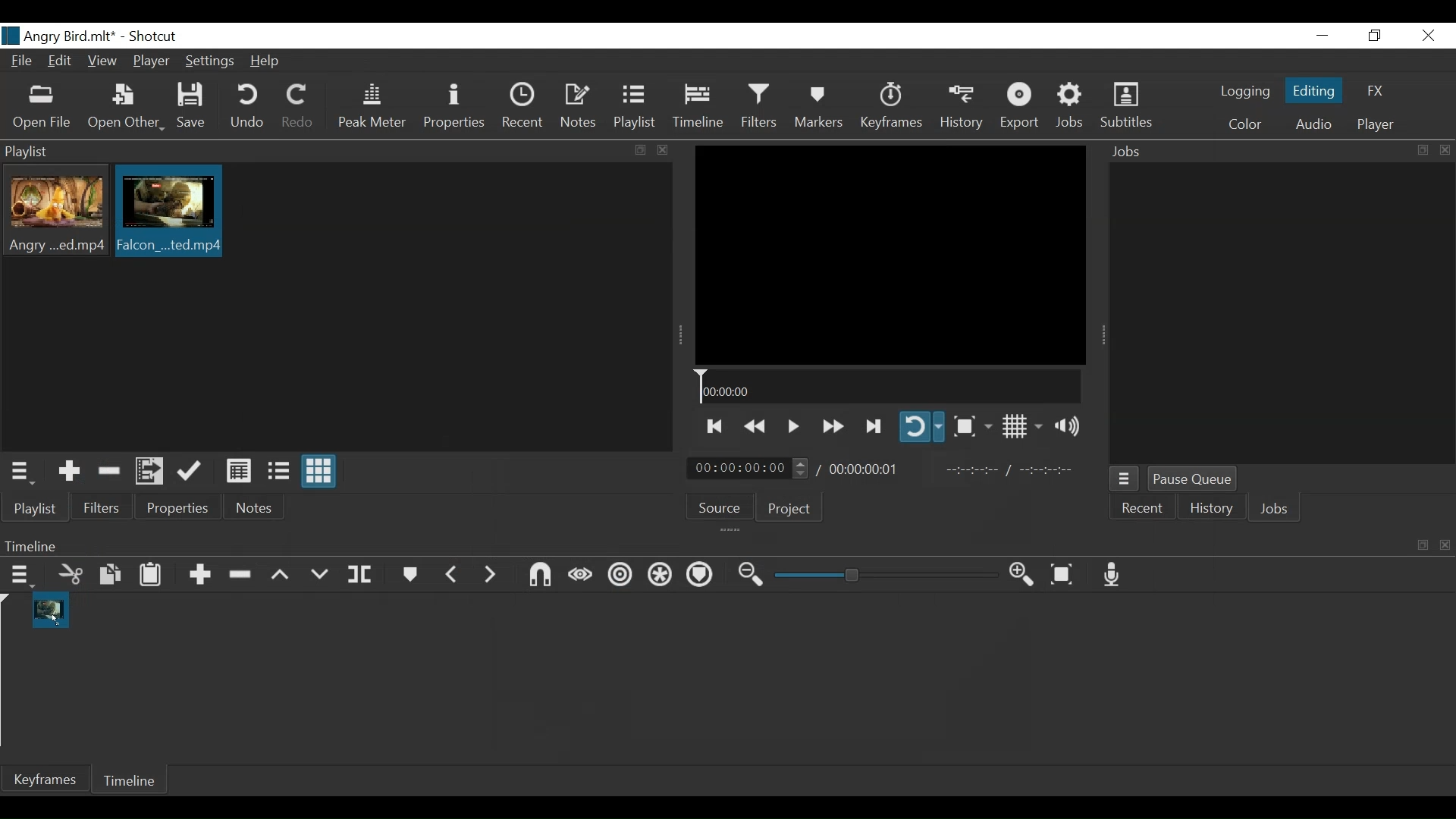 This screenshot has width=1456, height=819. I want to click on title, so click(104, 36).